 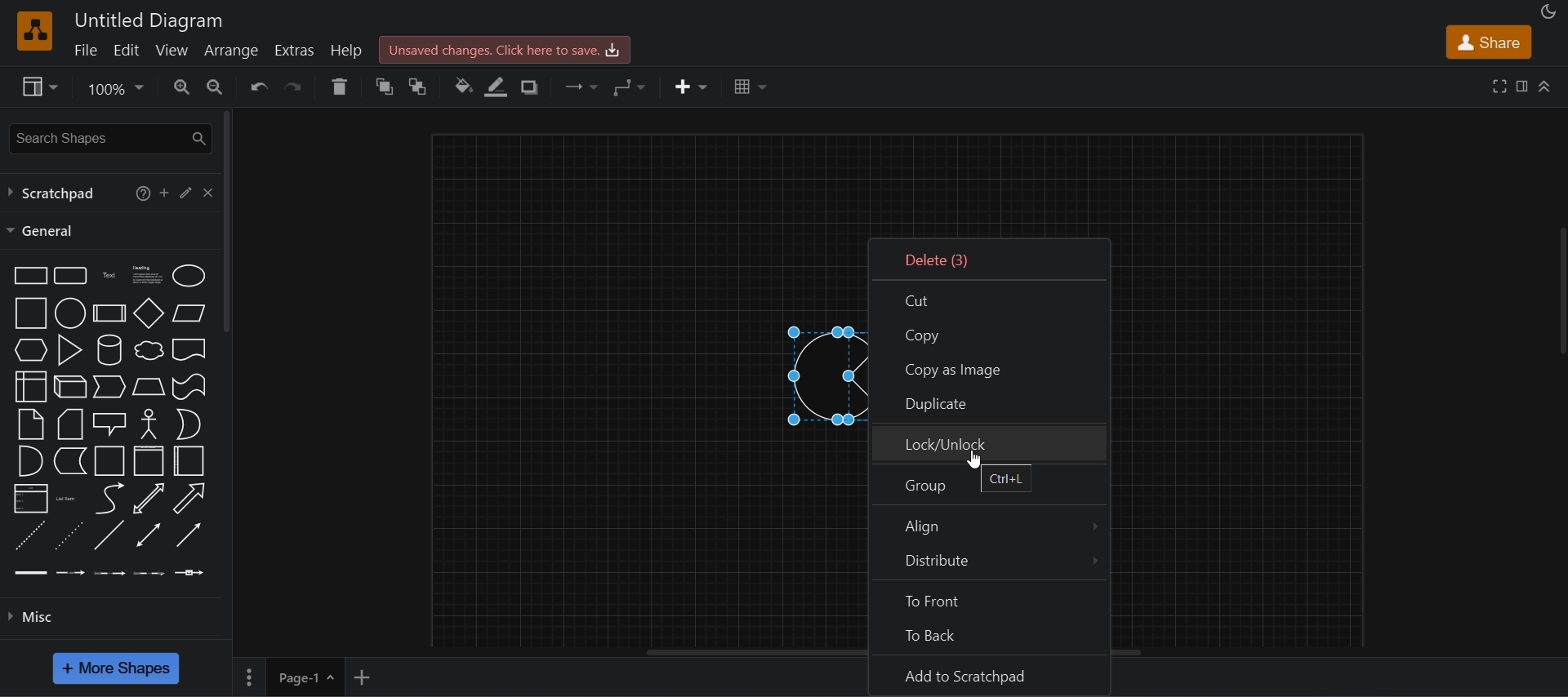 What do you see at coordinates (189, 535) in the screenshot?
I see `Directional connector` at bounding box center [189, 535].